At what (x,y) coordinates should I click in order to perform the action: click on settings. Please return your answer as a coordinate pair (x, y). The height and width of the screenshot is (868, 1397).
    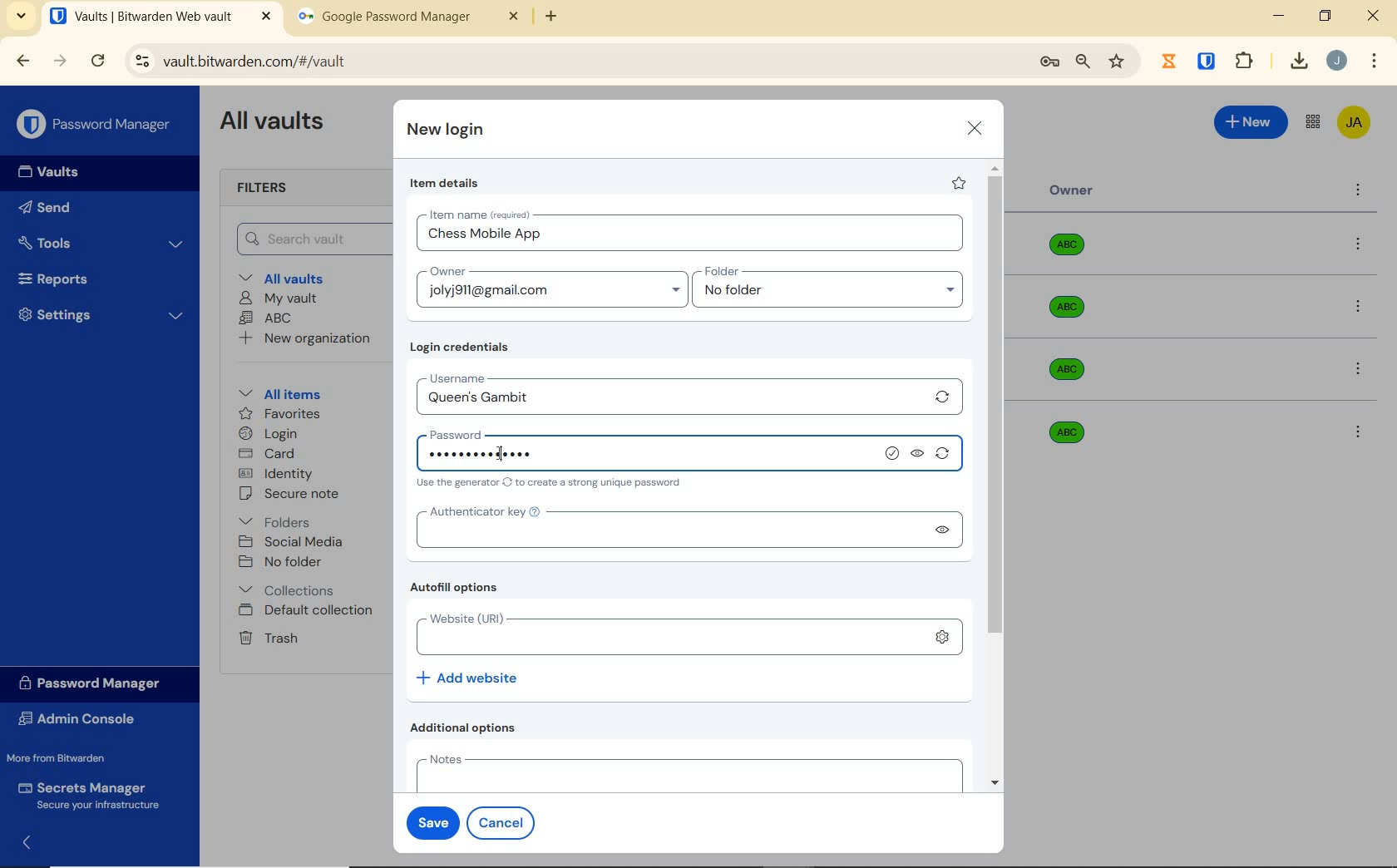
    Looking at the image, I should click on (941, 637).